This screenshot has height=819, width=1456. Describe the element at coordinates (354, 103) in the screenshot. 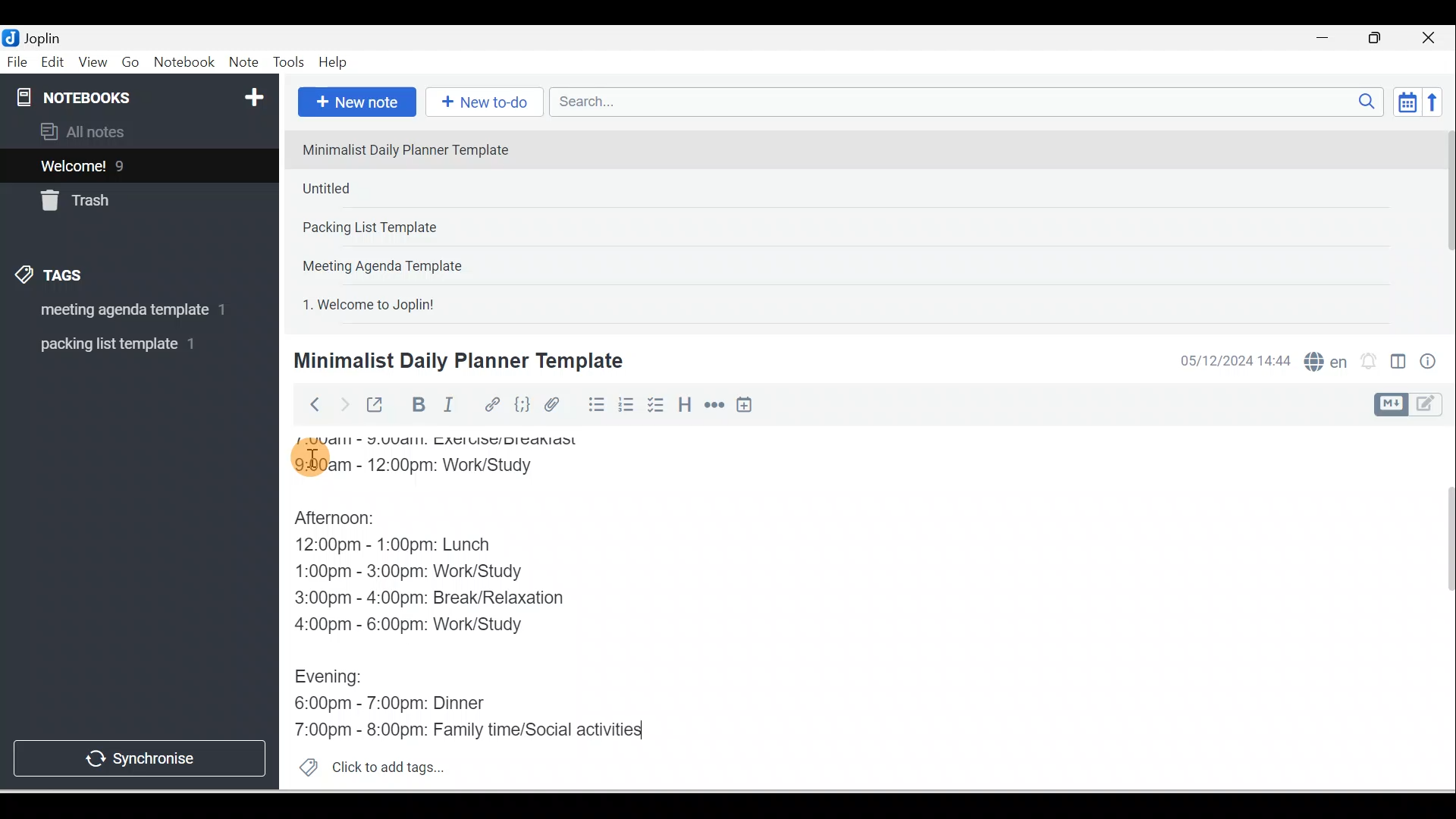

I see `New note` at that location.